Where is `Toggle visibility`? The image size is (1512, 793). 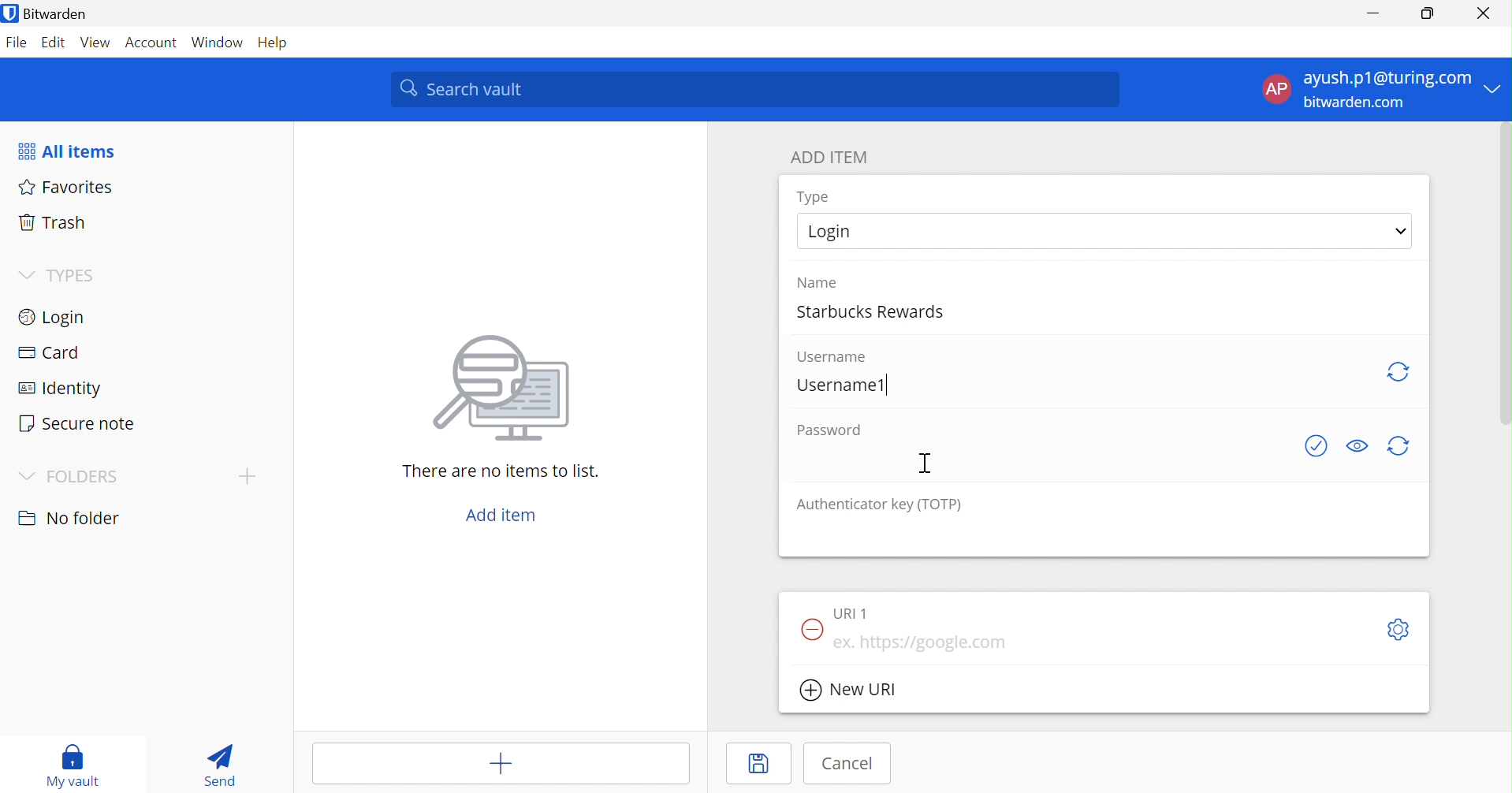
Toggle visibility is located at coordinates (1357, 445).